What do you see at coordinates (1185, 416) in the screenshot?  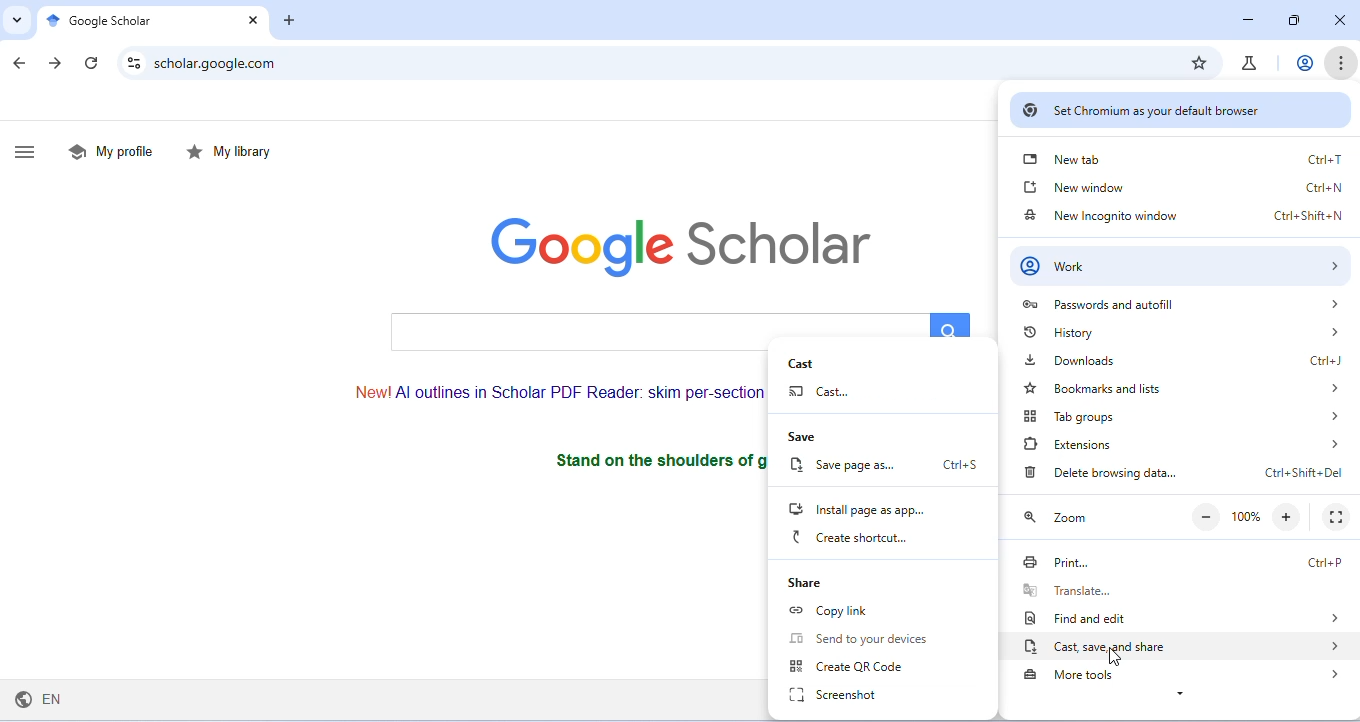 I see `tab groups` at bounding box center [1185, 416].